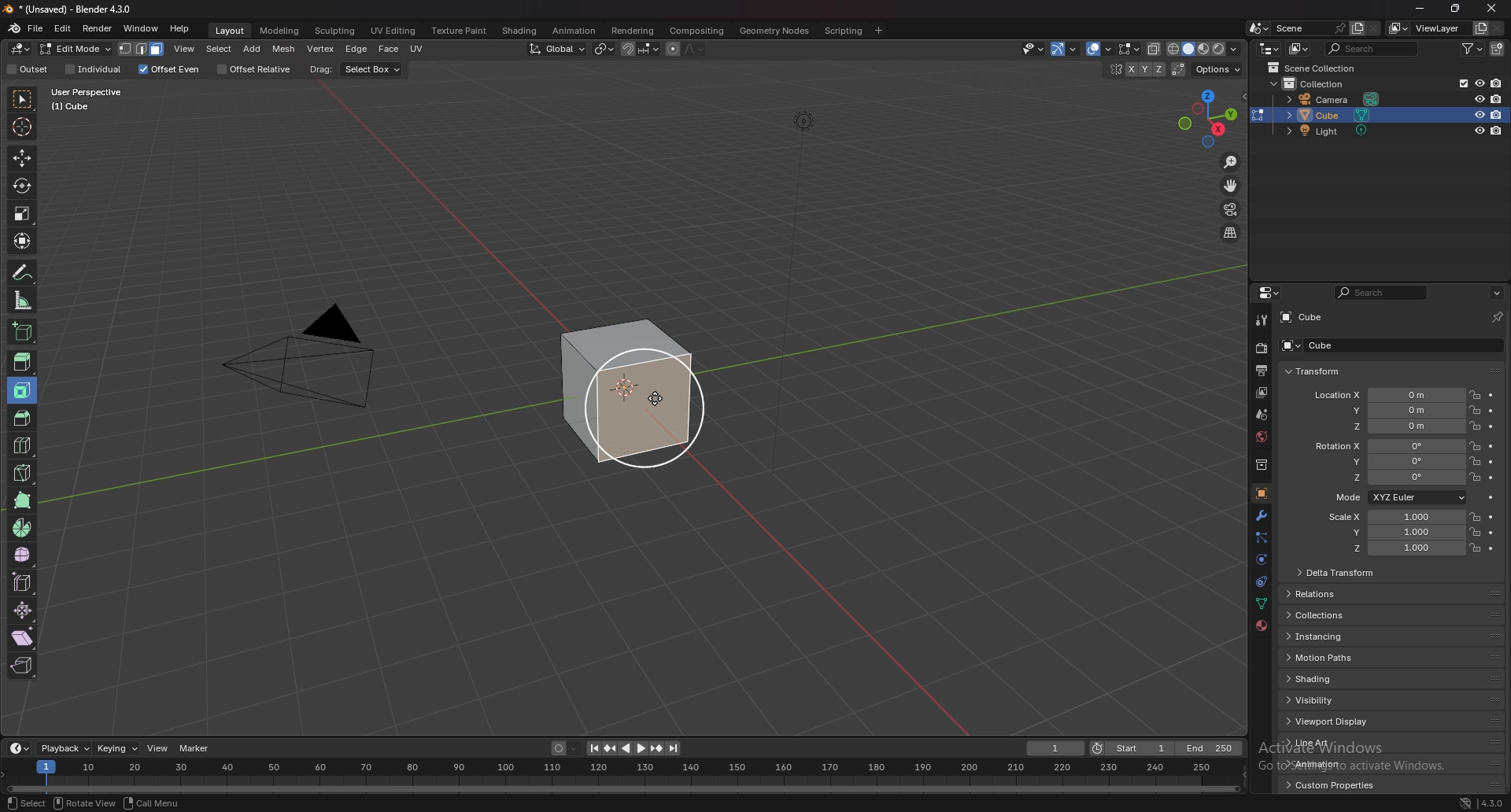 The height and width of the screenshot is (812, 1511). What do you see at coordinates (1313, 372) in the screenshot?
I see `transform` at bounding box center [1313, 372].